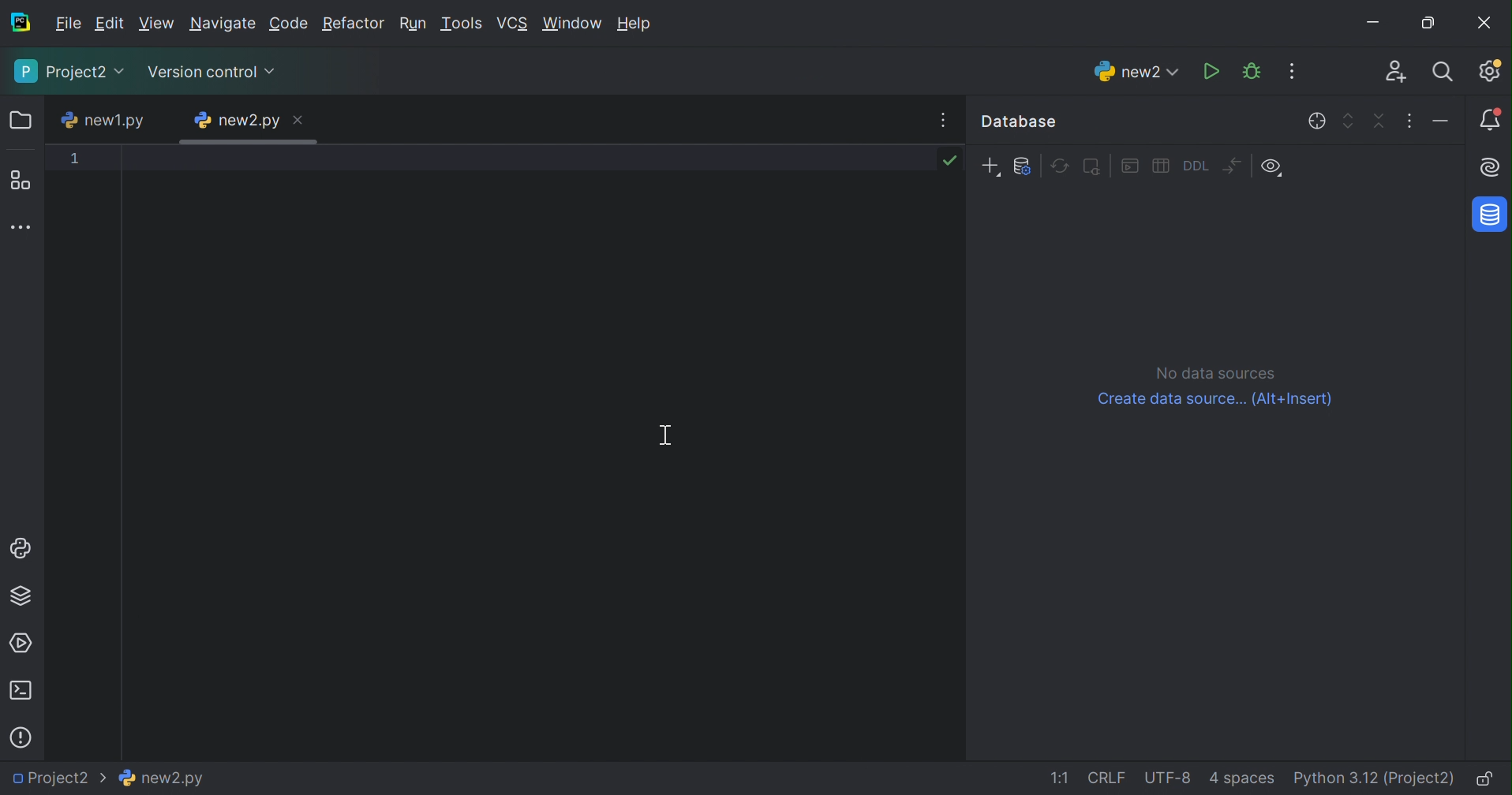 The image size is (1512, 795). Describe the element at coordinates (23, 737) in the screenshot. I see `Problems` at that location.